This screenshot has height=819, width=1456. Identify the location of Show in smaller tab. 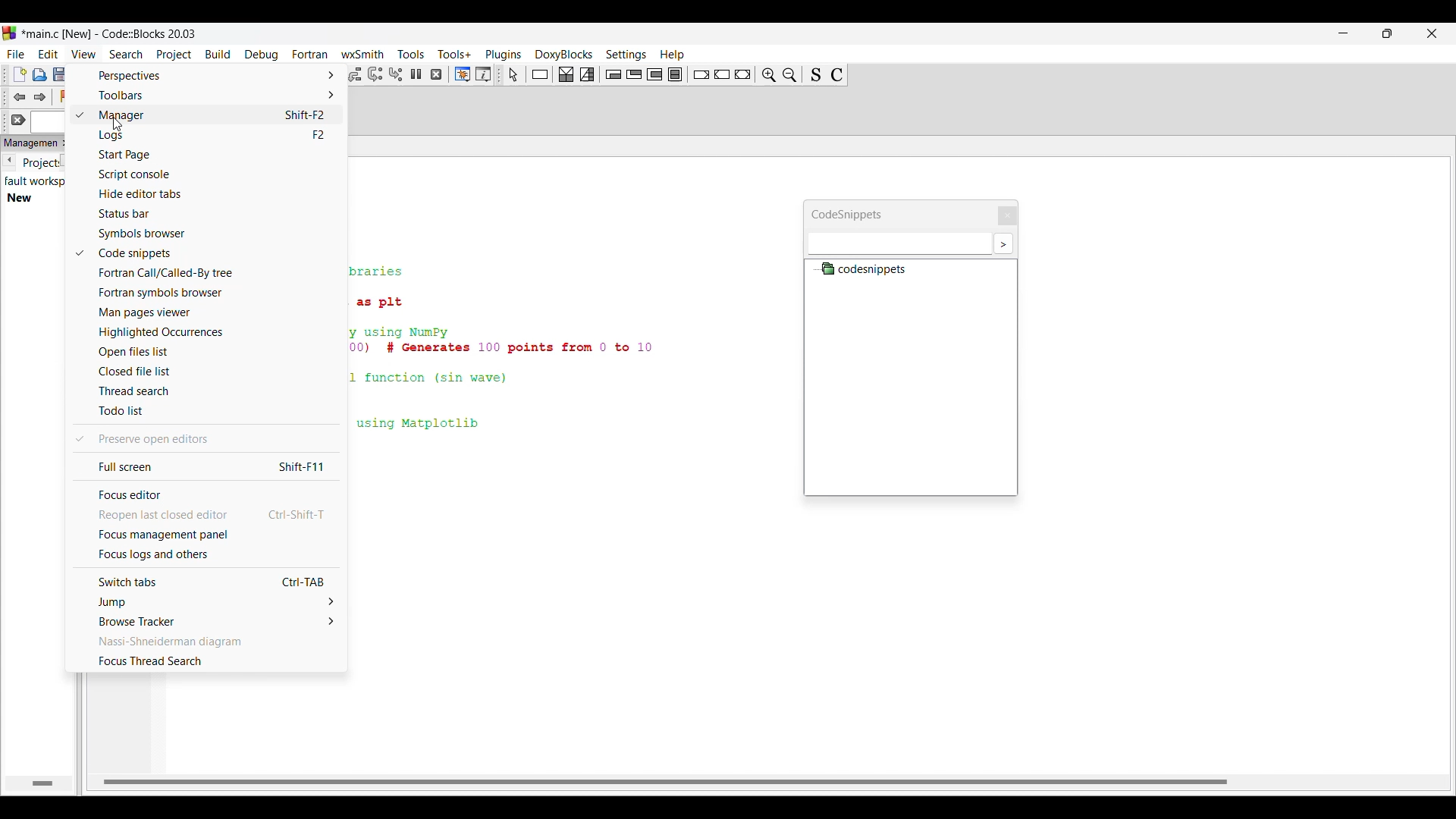
(1387, 33).